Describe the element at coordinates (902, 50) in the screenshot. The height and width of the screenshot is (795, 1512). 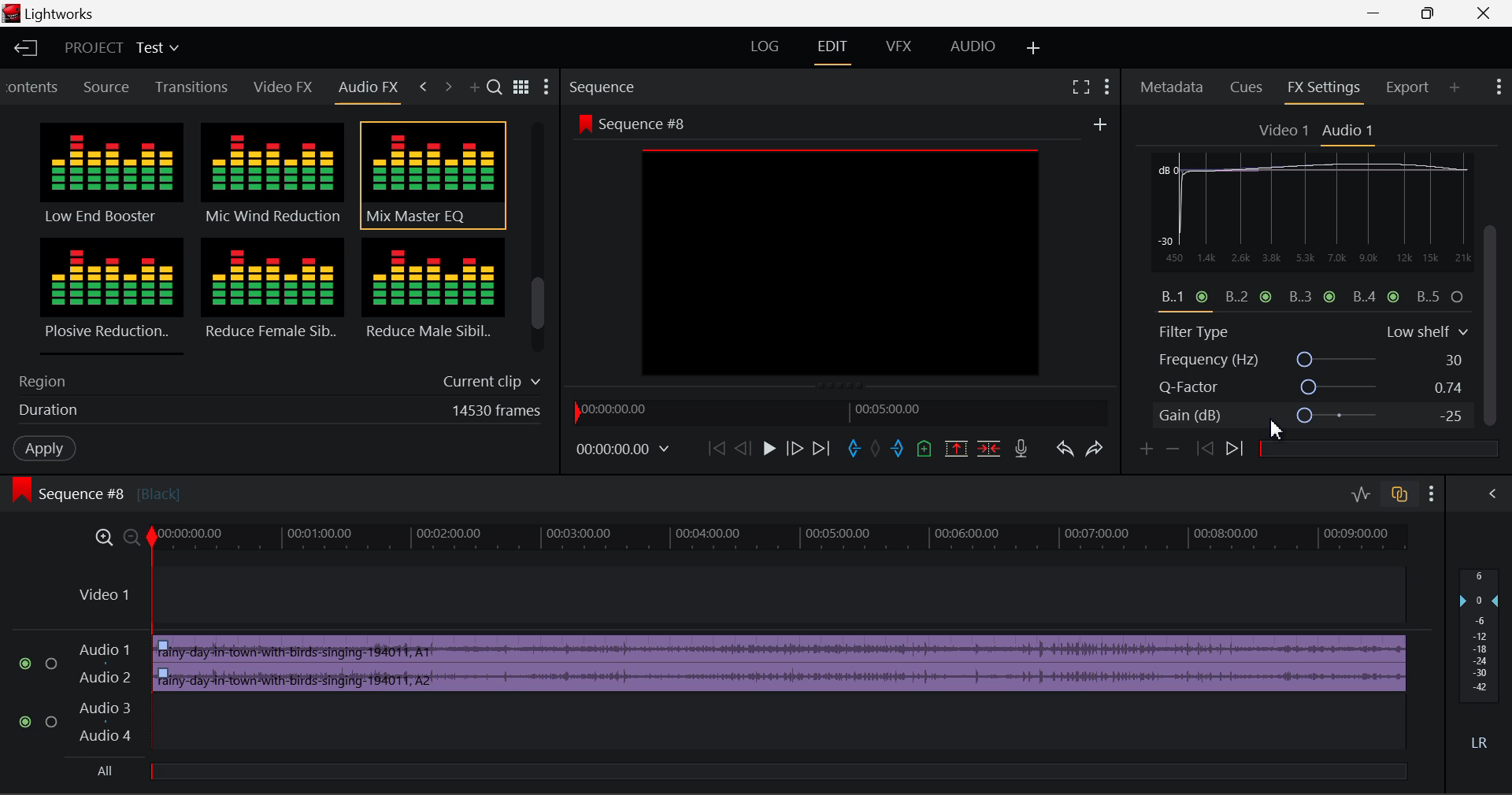
I see `VFX Layout` at that location.